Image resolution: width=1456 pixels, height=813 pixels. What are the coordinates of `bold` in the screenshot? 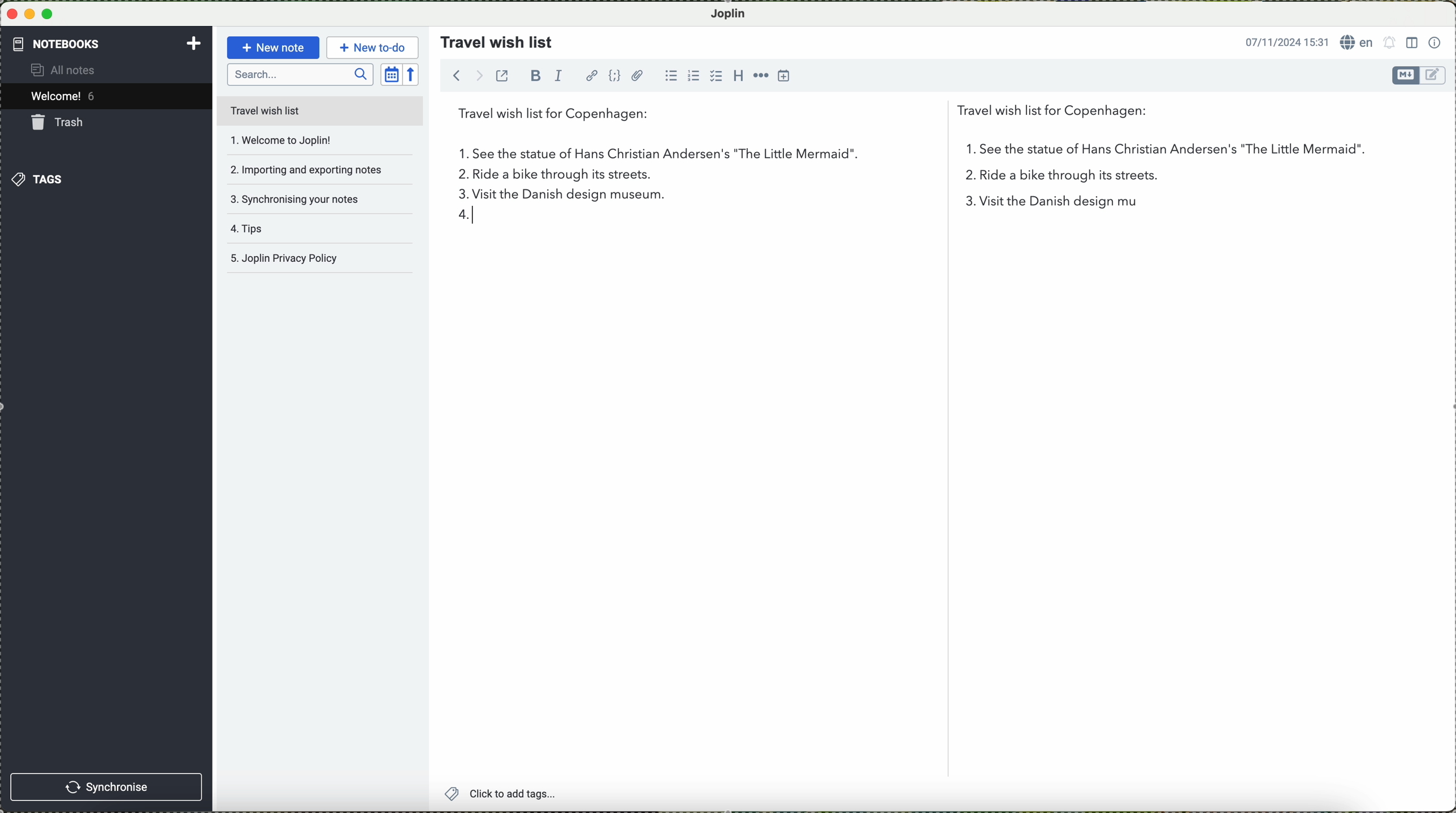 It's located at (536, 75).